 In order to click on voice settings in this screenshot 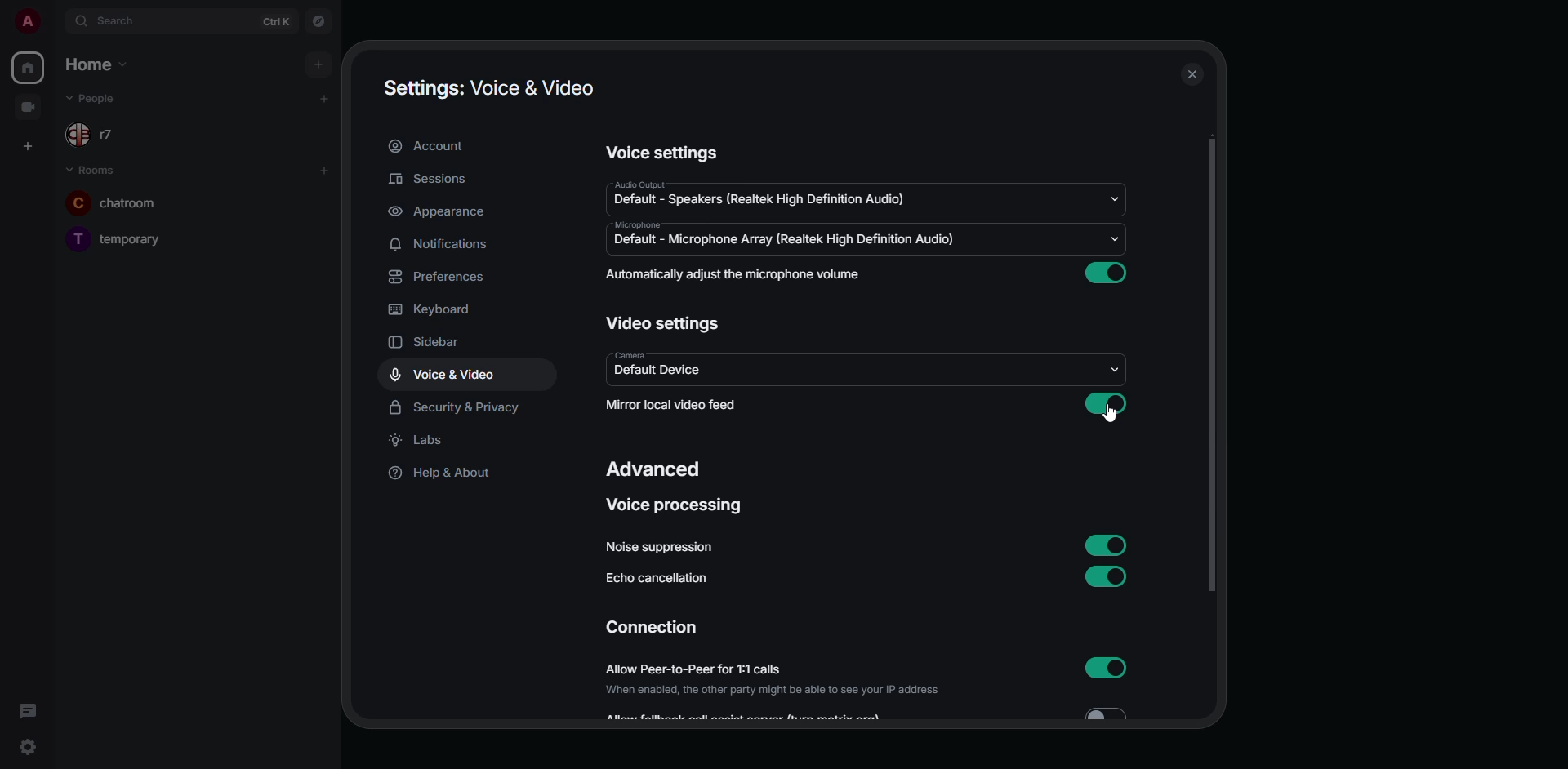, I will do `click(671, 152)`.